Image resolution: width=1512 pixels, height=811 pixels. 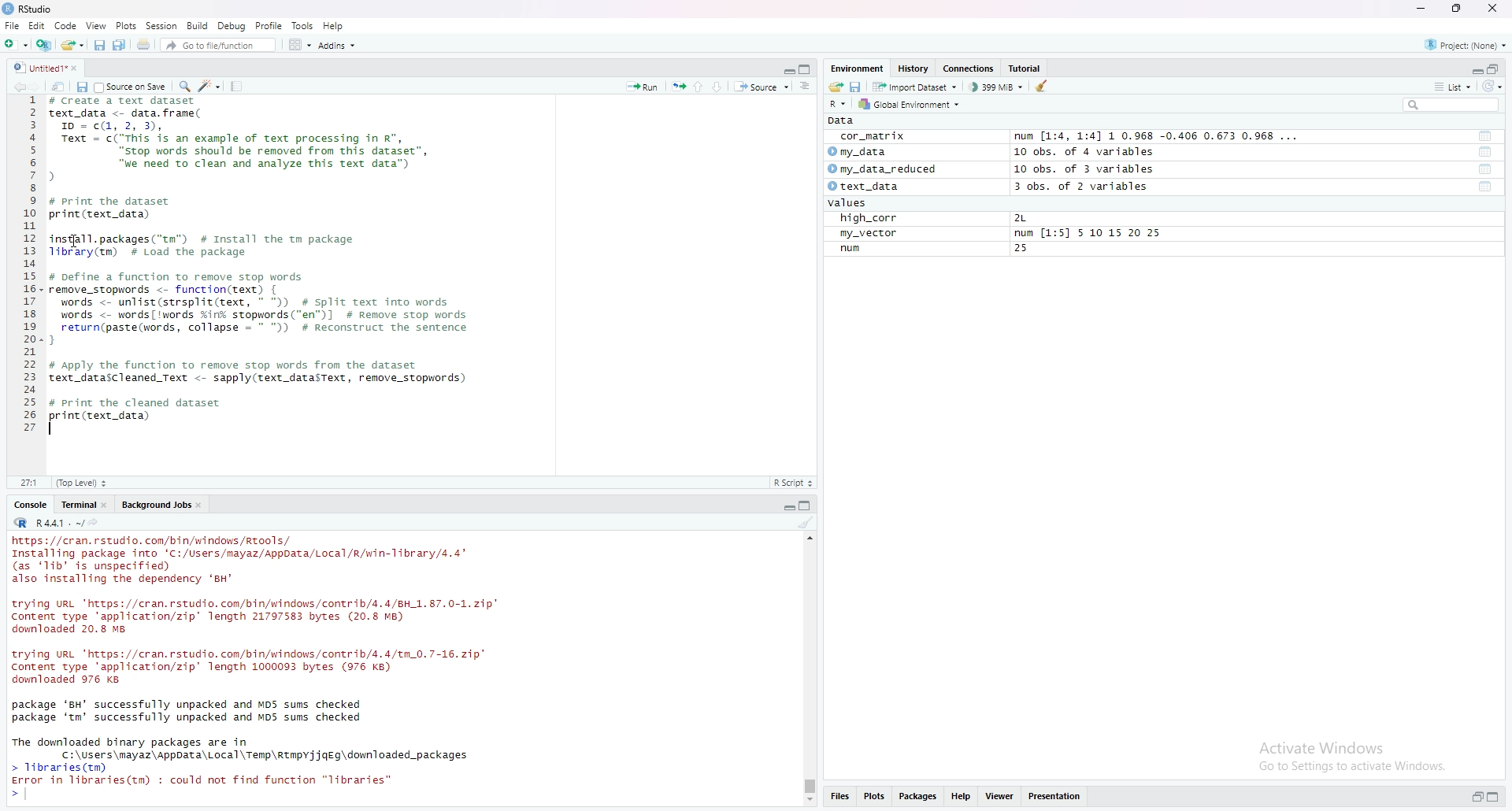 What do you see at coordinates (39, 87) in the screenshot?
I see `go forward` at bounding box center [39, 87].